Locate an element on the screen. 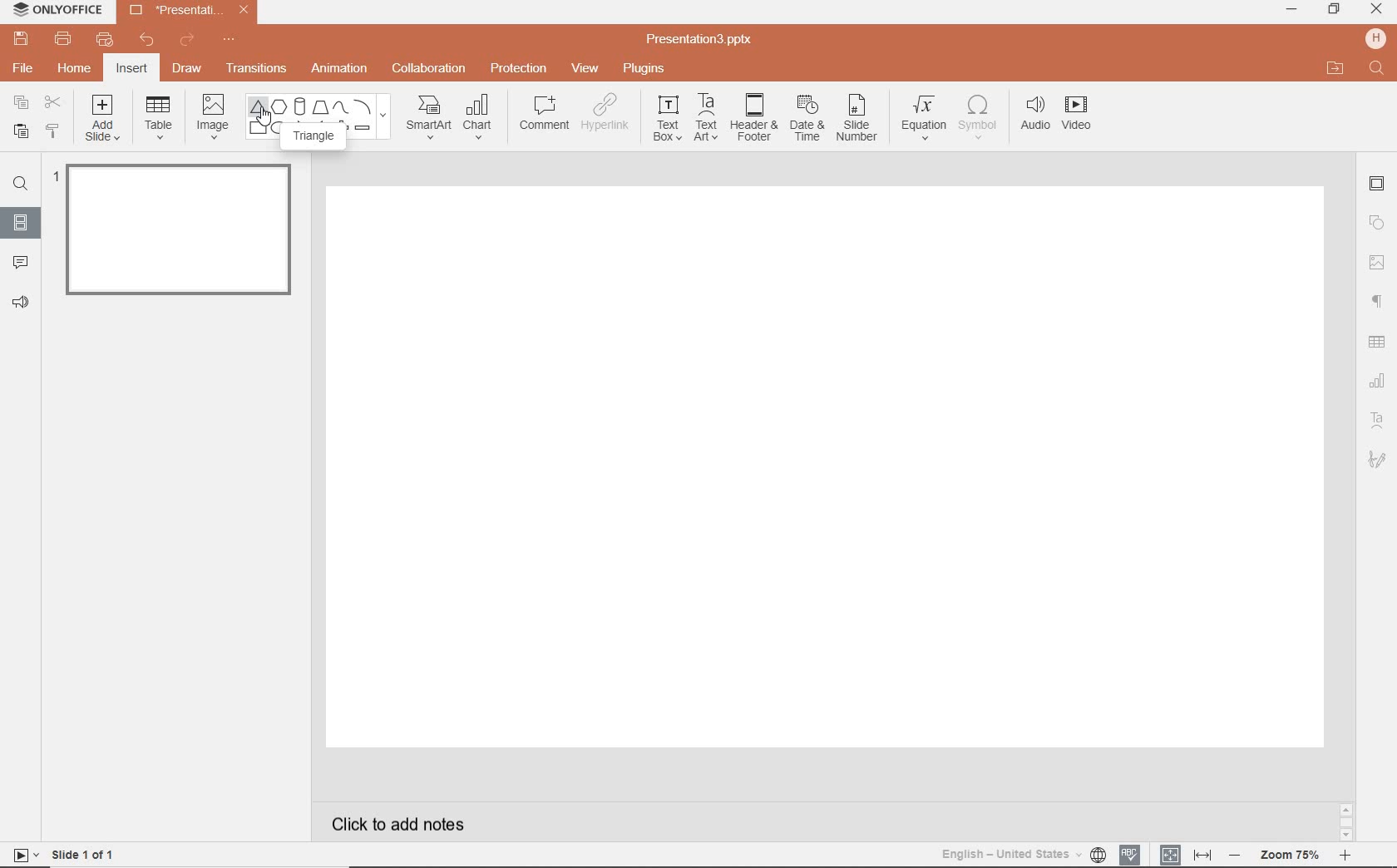 This screenshot has height=868, width=1397. COMMENT is located at coordinates (543, 117).